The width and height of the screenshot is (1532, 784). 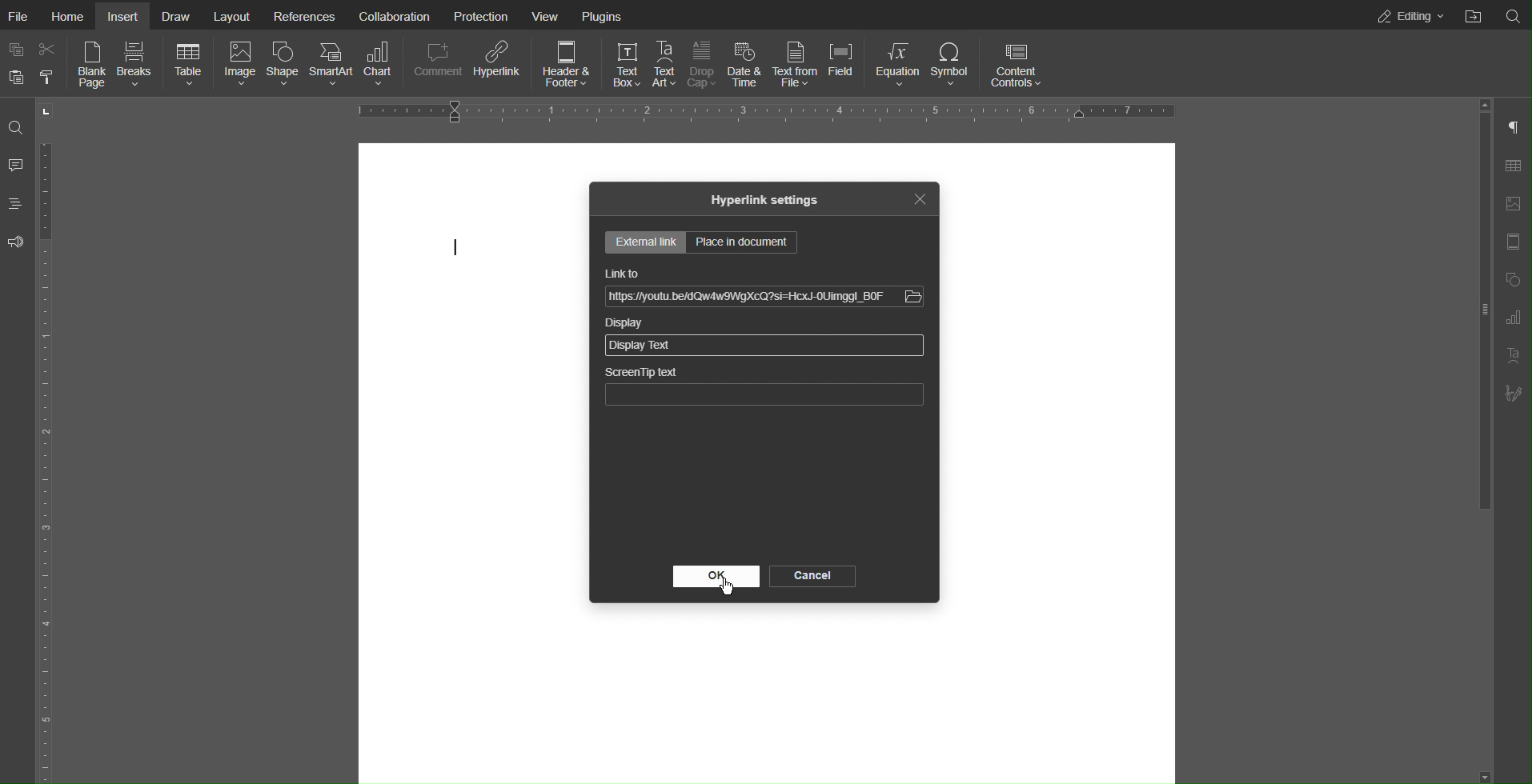 I want to click on Blank Page, so click(x=92, y=66).